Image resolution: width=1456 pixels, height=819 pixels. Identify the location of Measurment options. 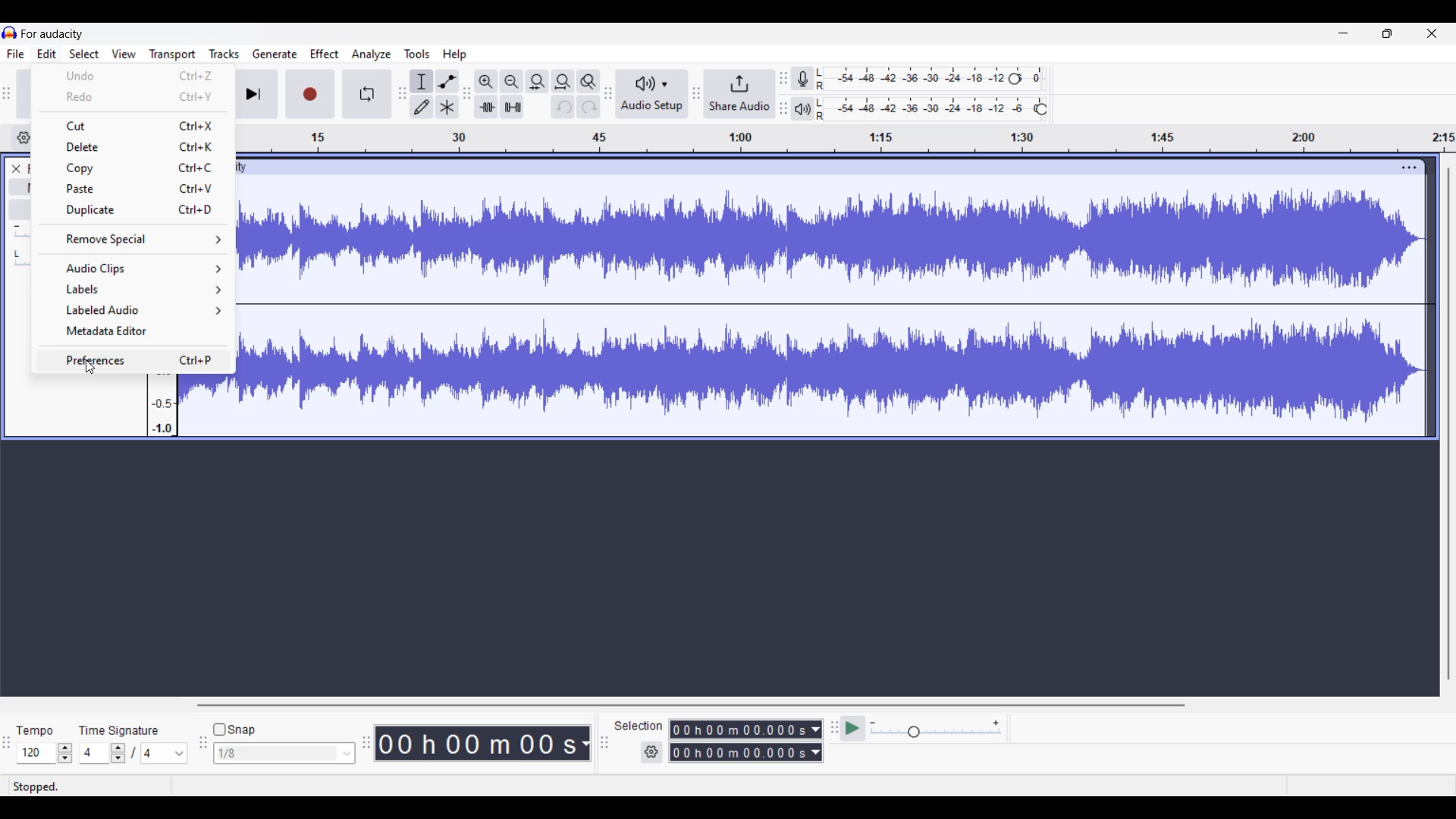
(746, 741).